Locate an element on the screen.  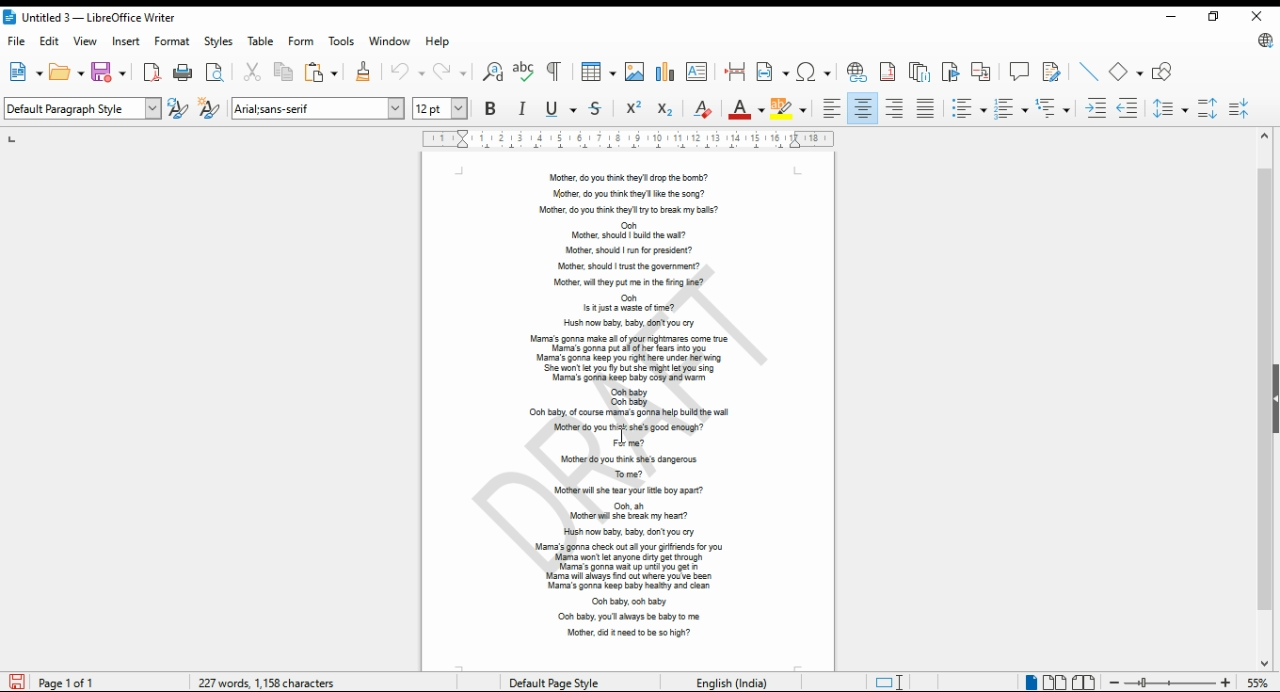
window is located at coordinates (390, 41).